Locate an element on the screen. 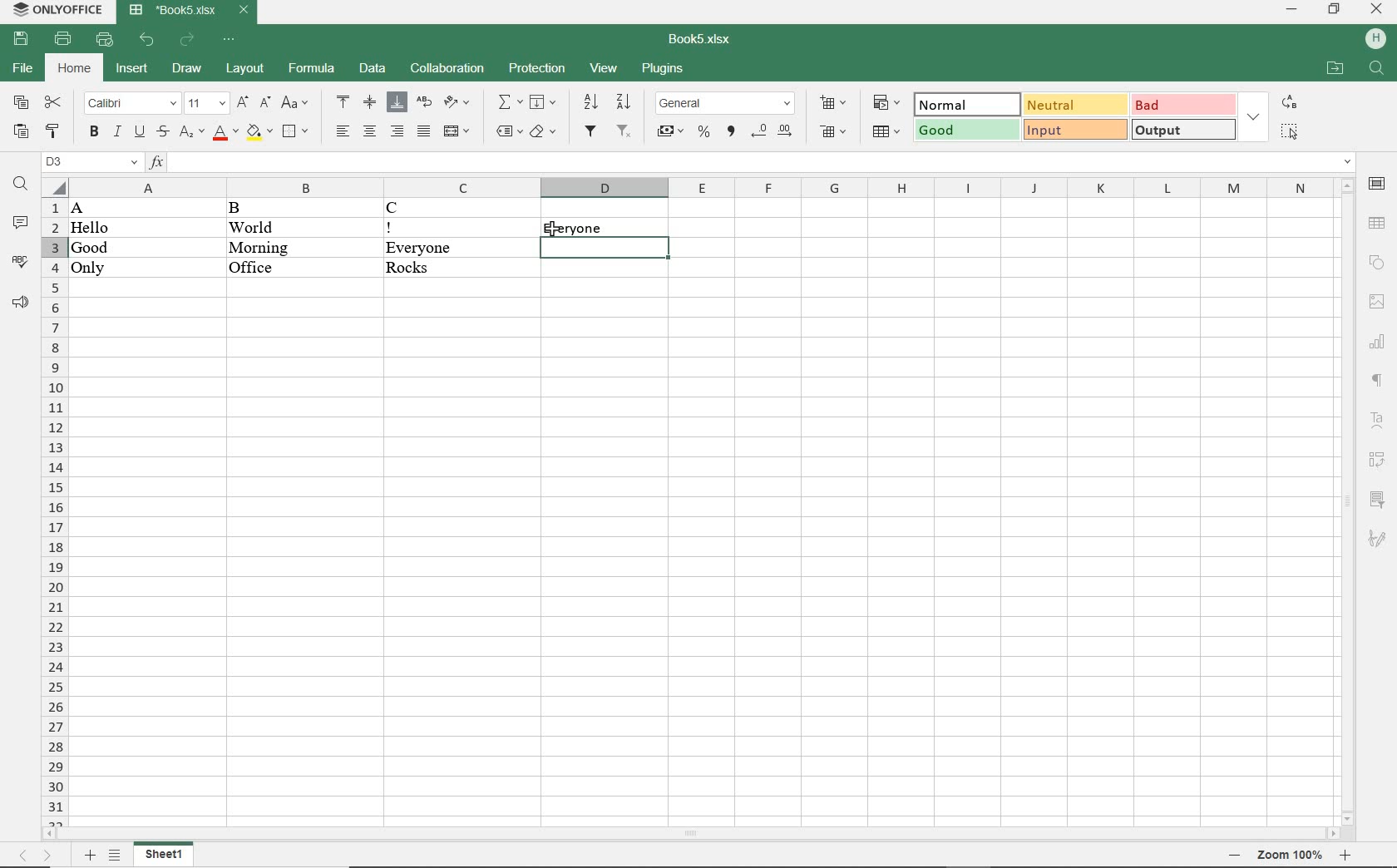  layout is located at coordinates (245, 69).